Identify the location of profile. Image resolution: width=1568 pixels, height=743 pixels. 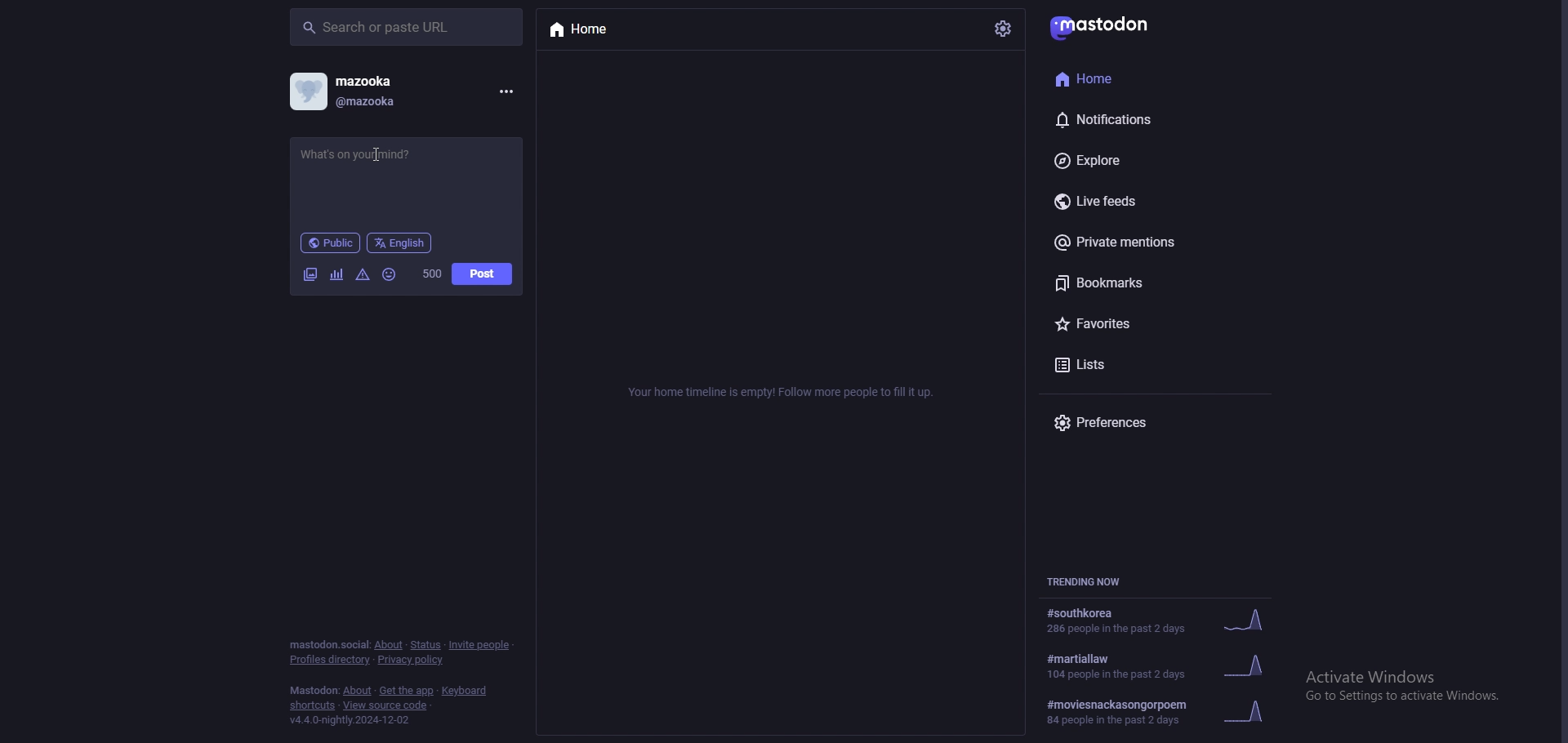
(343, 91).